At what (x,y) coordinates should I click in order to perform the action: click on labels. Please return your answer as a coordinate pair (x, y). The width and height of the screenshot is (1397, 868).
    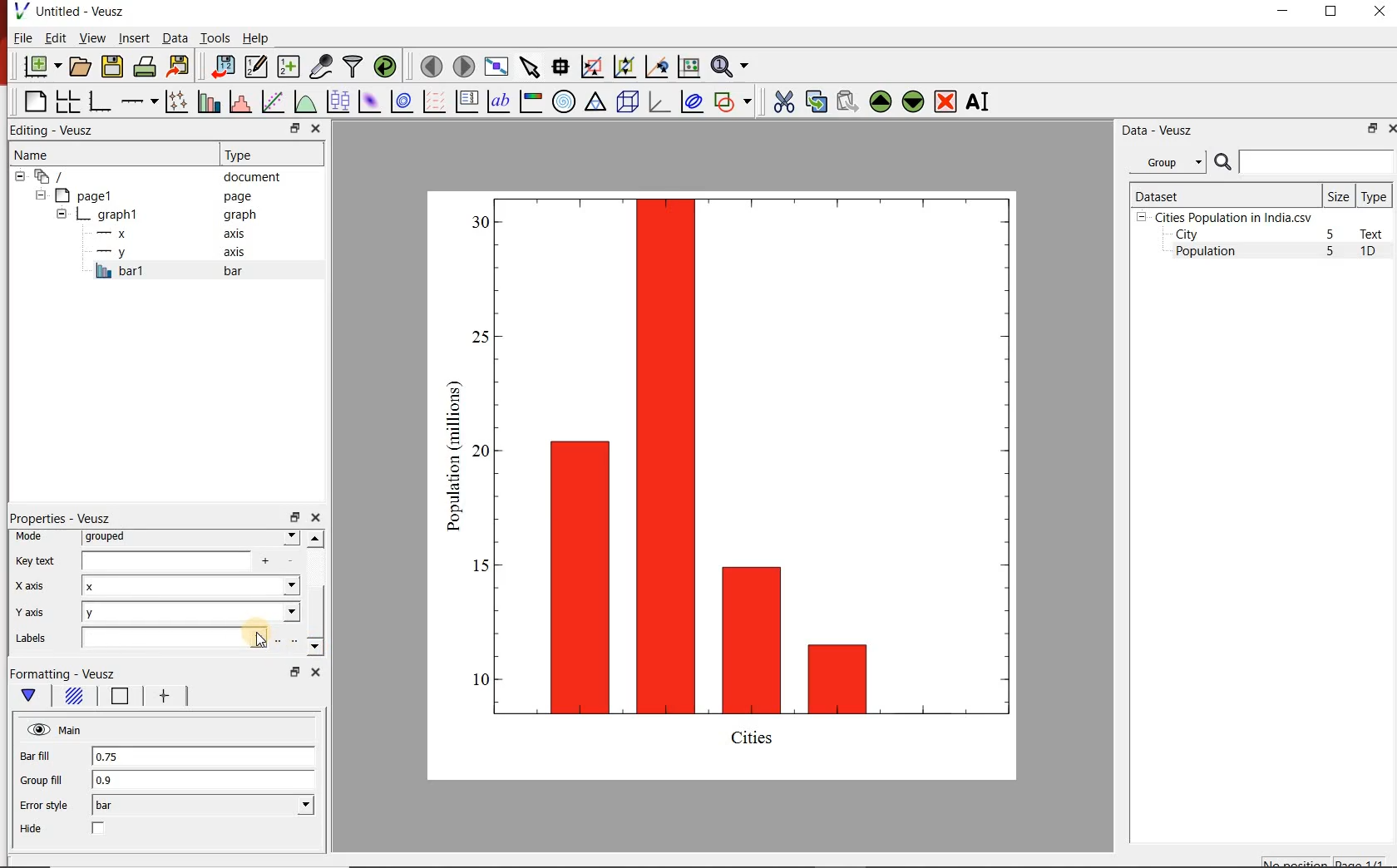
    Looking at the image, I should click on (38, 641).